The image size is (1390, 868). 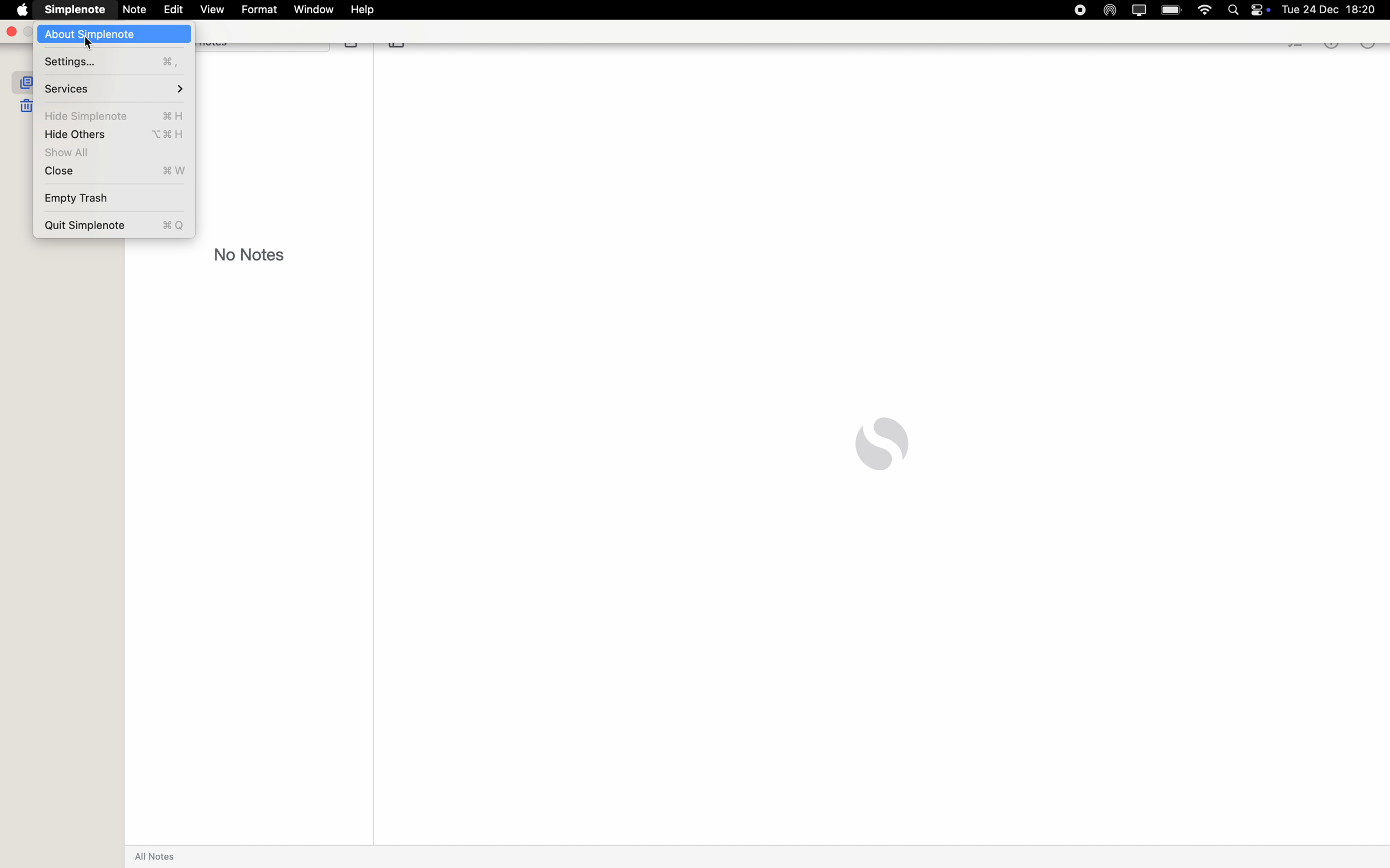 What do you see at coordinates (72, 153) in the screenshot?
I see `show all` at bounding box center [72, 153].